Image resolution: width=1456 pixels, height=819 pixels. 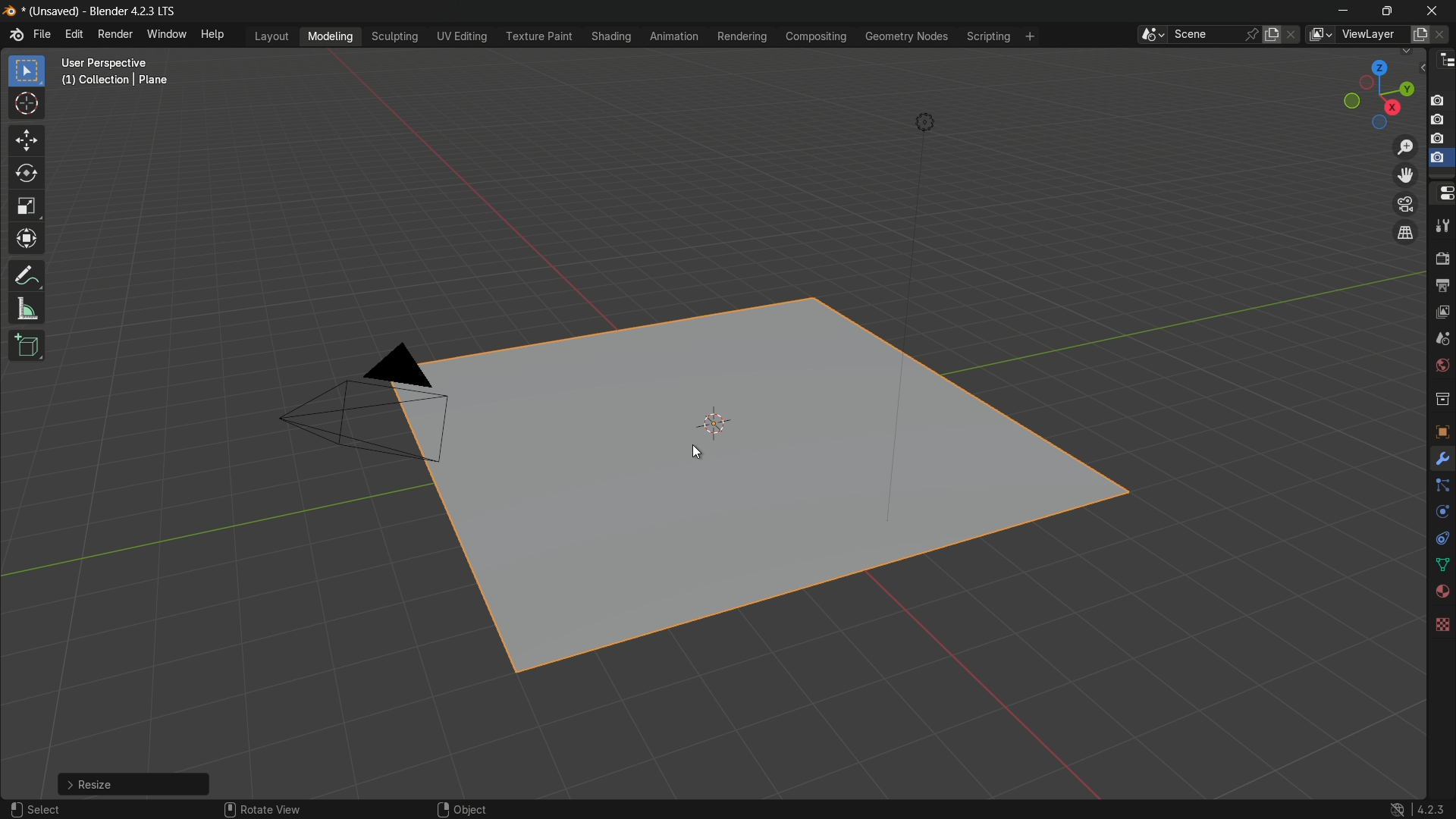 What do you see at coordinates (166, 34) in the screenshot?
I see `window menu` at bounding box center [166, 34].